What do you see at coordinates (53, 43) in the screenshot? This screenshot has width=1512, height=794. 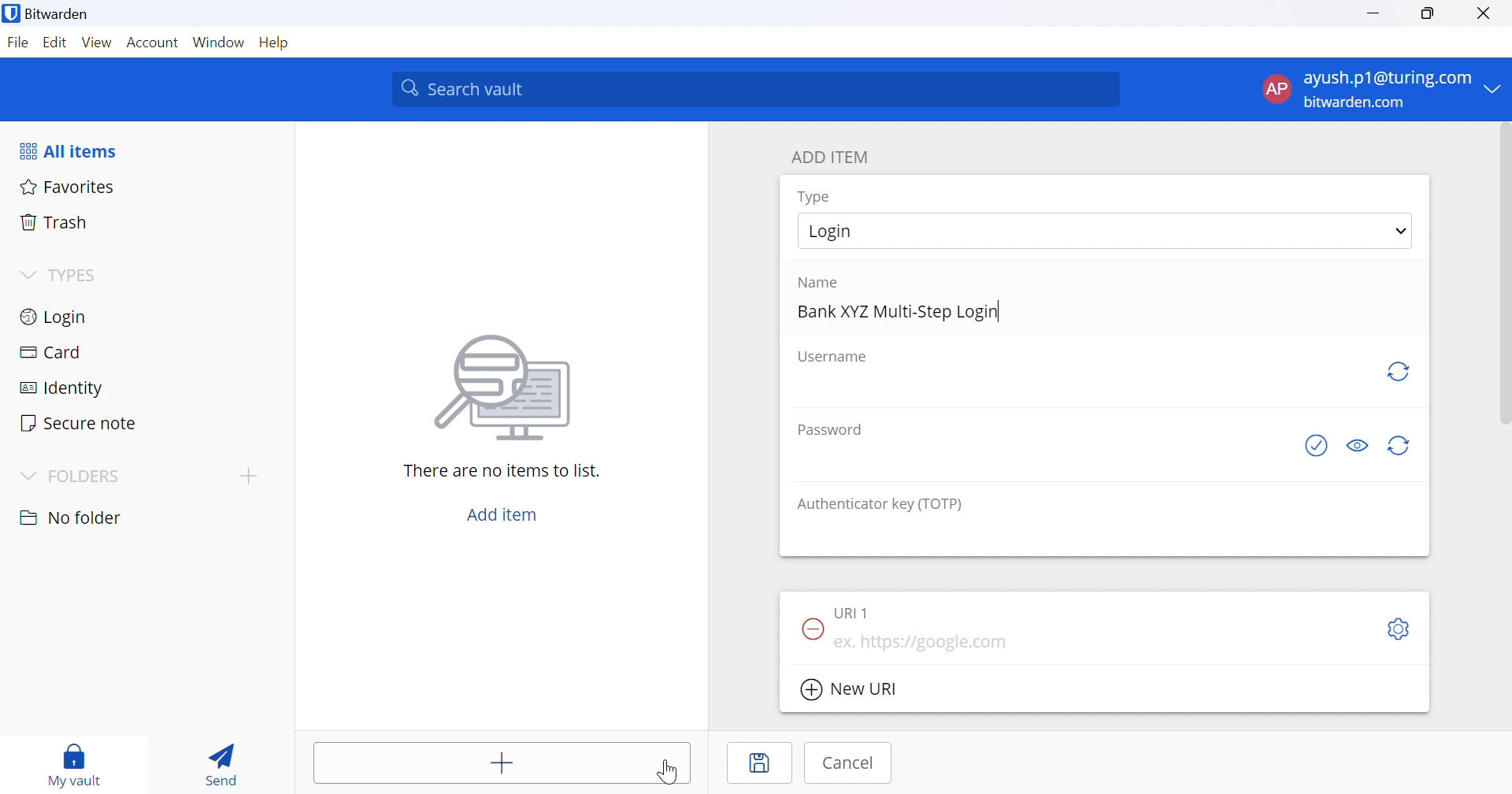 I see `Edit` at bounding box center [53, 43].